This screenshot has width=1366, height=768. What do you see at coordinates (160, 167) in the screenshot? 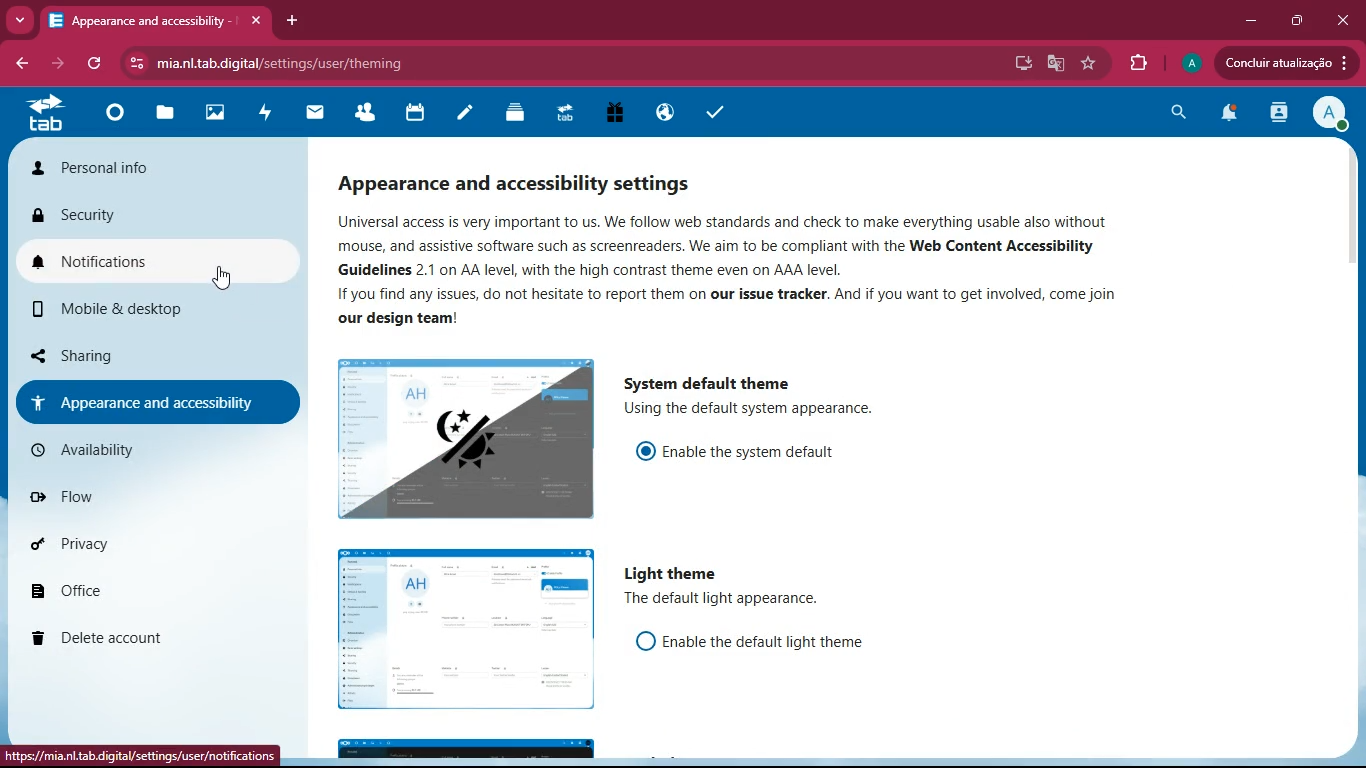
I see `Personal info` at bounding box center [160, 167].